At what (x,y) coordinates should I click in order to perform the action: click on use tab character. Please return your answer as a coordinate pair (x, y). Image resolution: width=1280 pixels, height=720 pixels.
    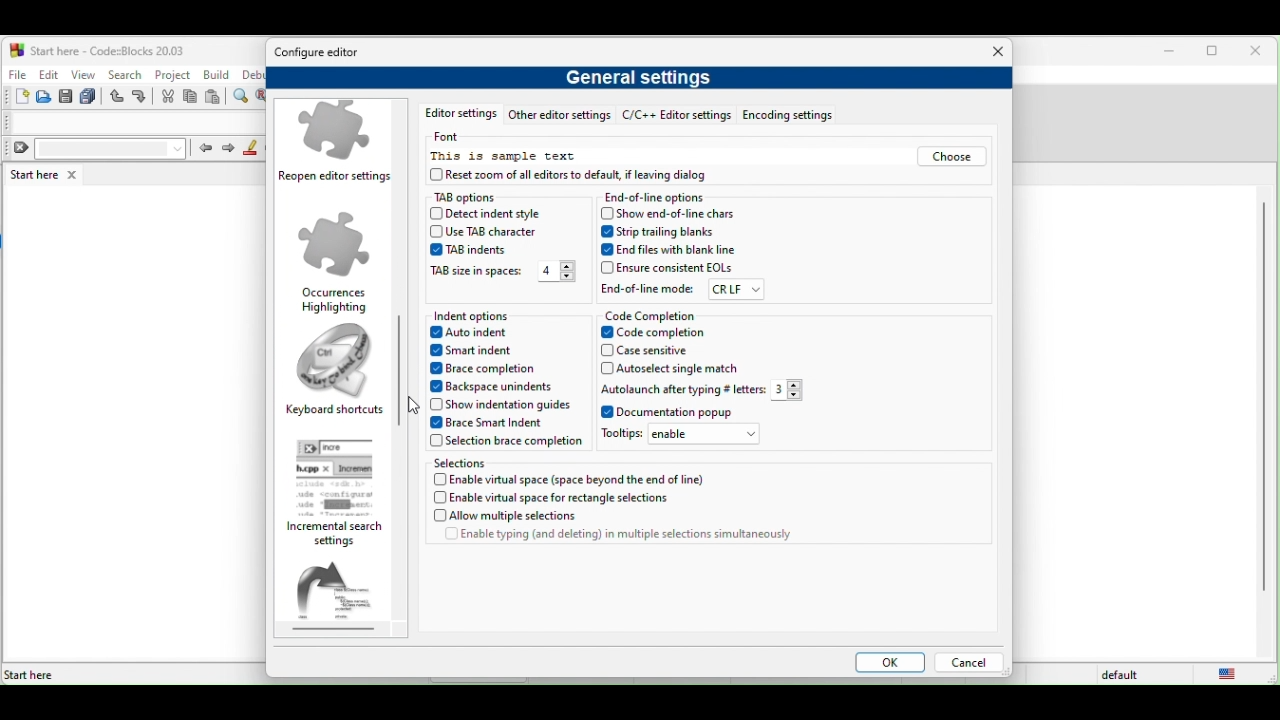
    Looking at the image, I should click on (489, 232).